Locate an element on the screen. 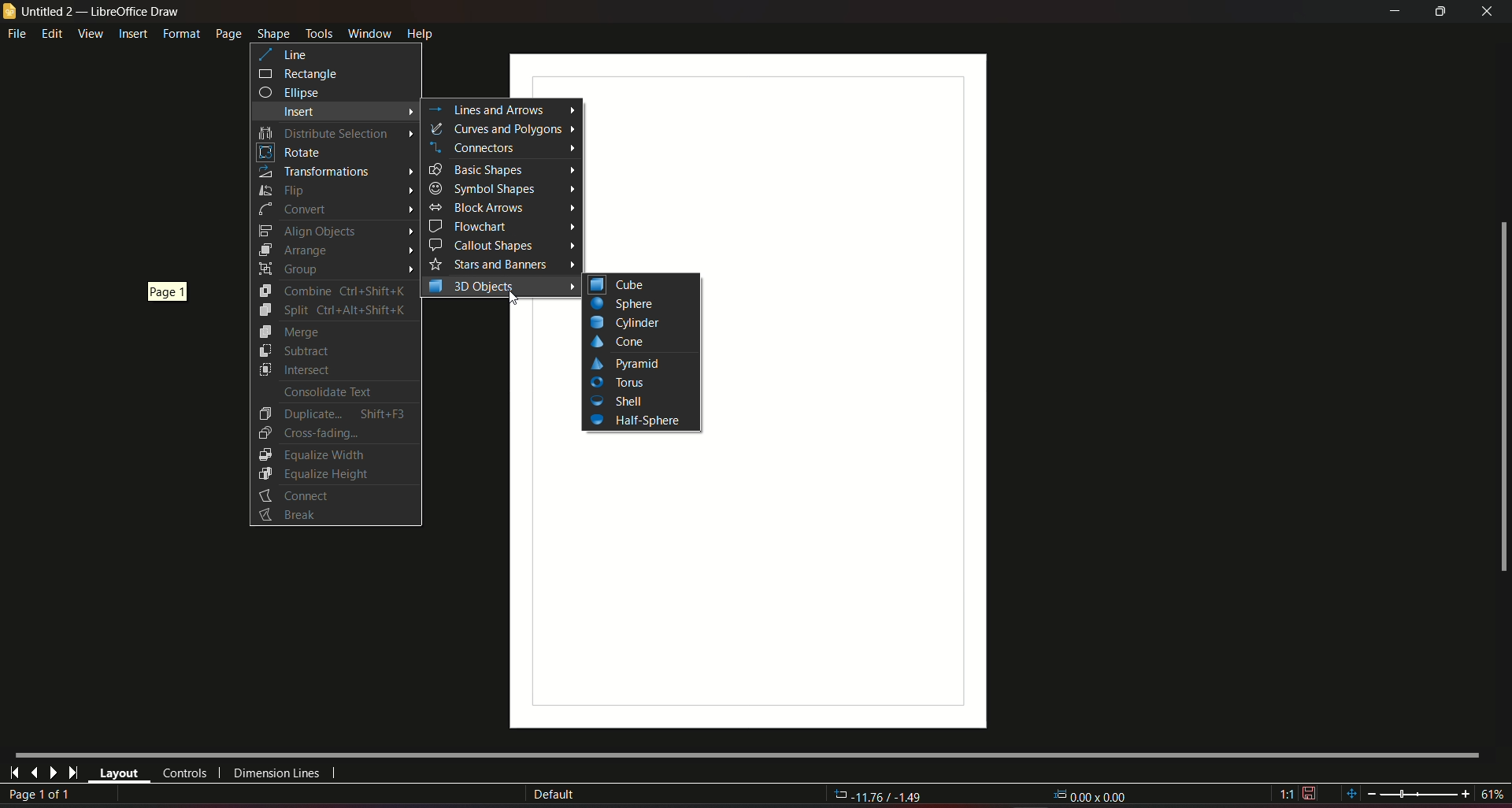 This screenshot has height=808, width=1512. Arrow is located at coordinates (576, 129).